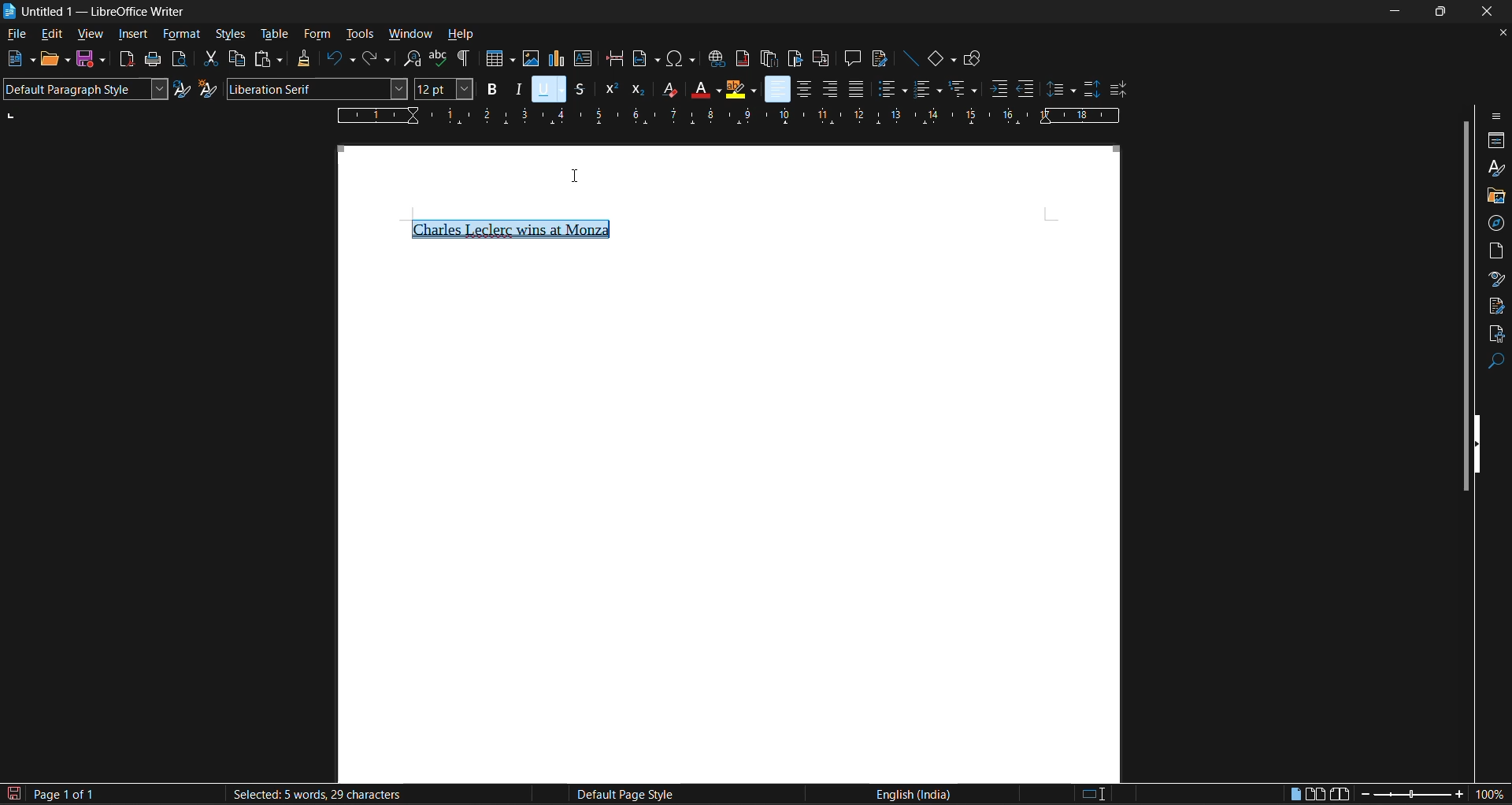  I want to click on show track change functions, so click(878, 58).